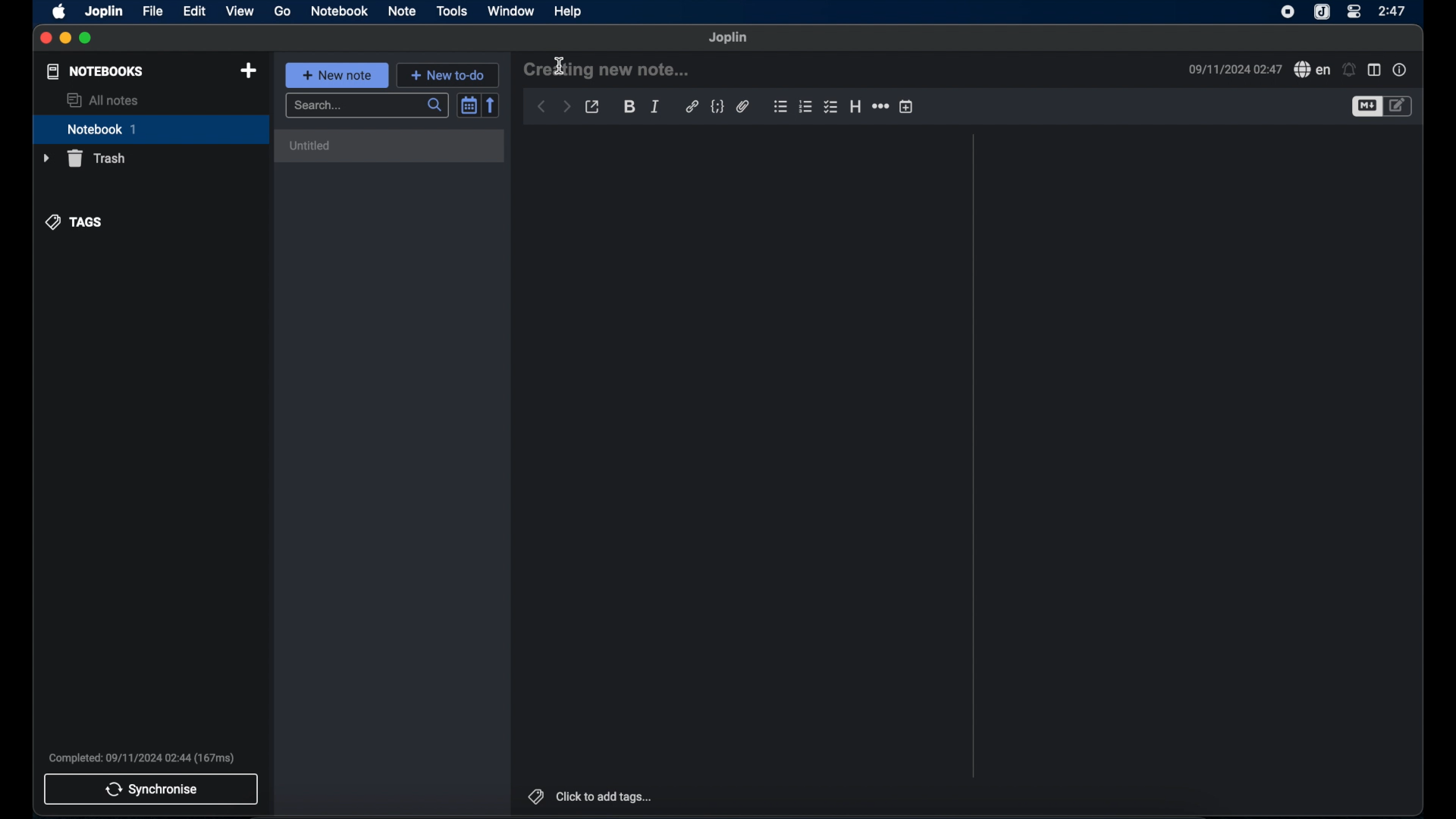 The width and height of the screenshot is (1456, 819). What do you see at coordinates (805, 107) in the screenshot?
I see `bulleted number list` at bounding box center [805, 107].